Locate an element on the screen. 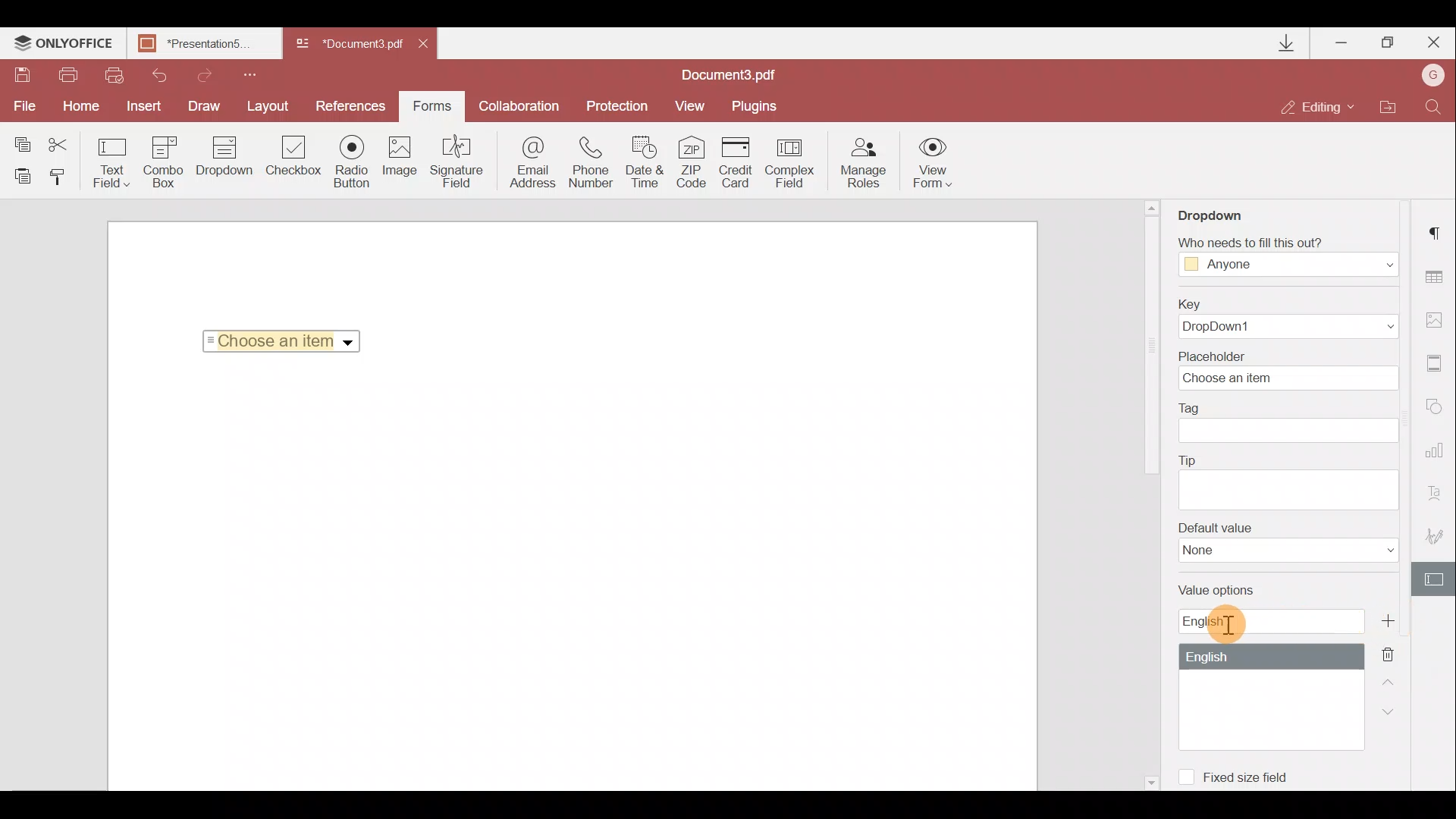 This screenshot has height=819, width=1456. Copy is located at coordinates (21, 141).